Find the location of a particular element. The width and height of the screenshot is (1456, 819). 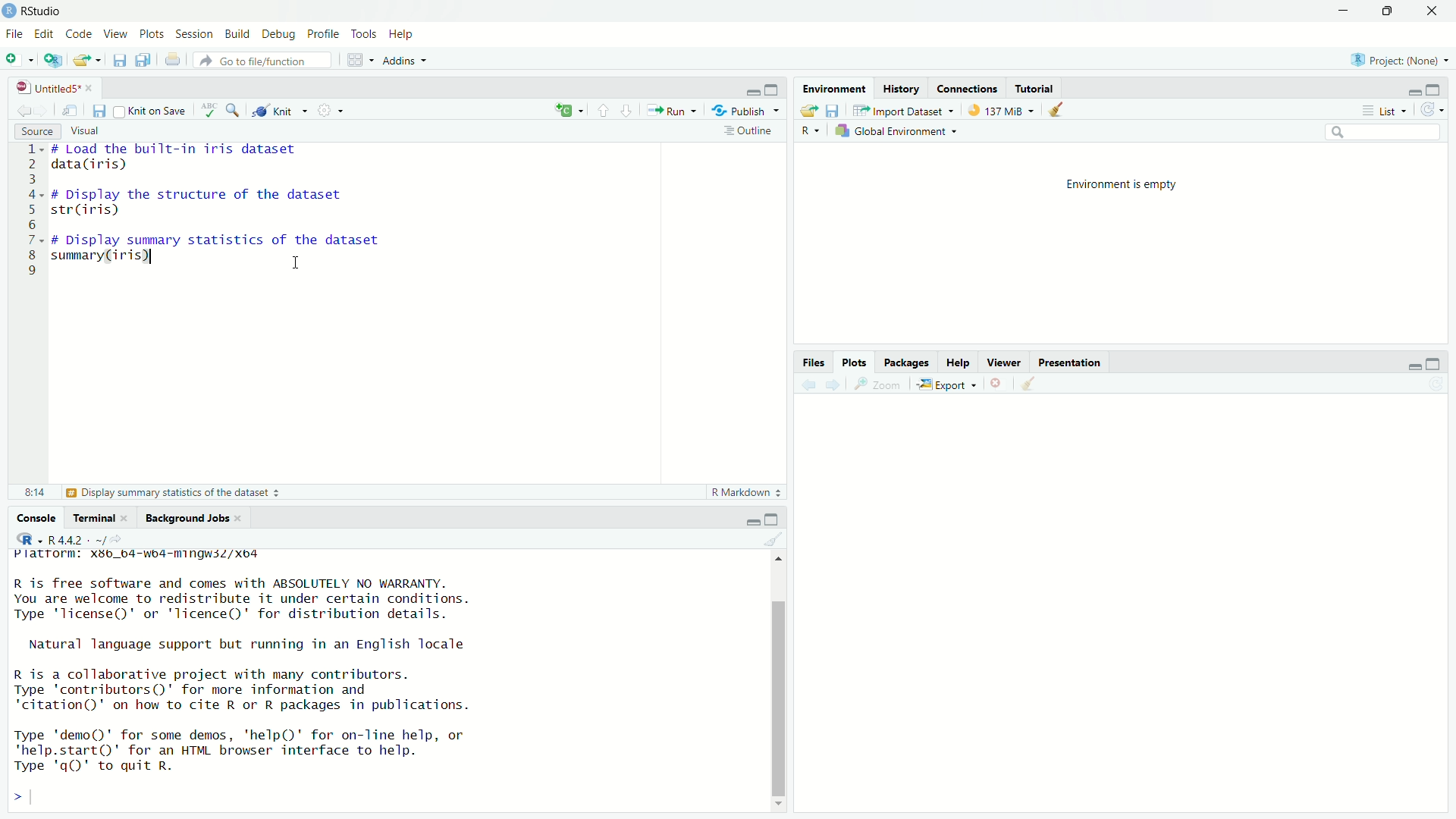

Find/Replace is located at coordinates (234, 110).